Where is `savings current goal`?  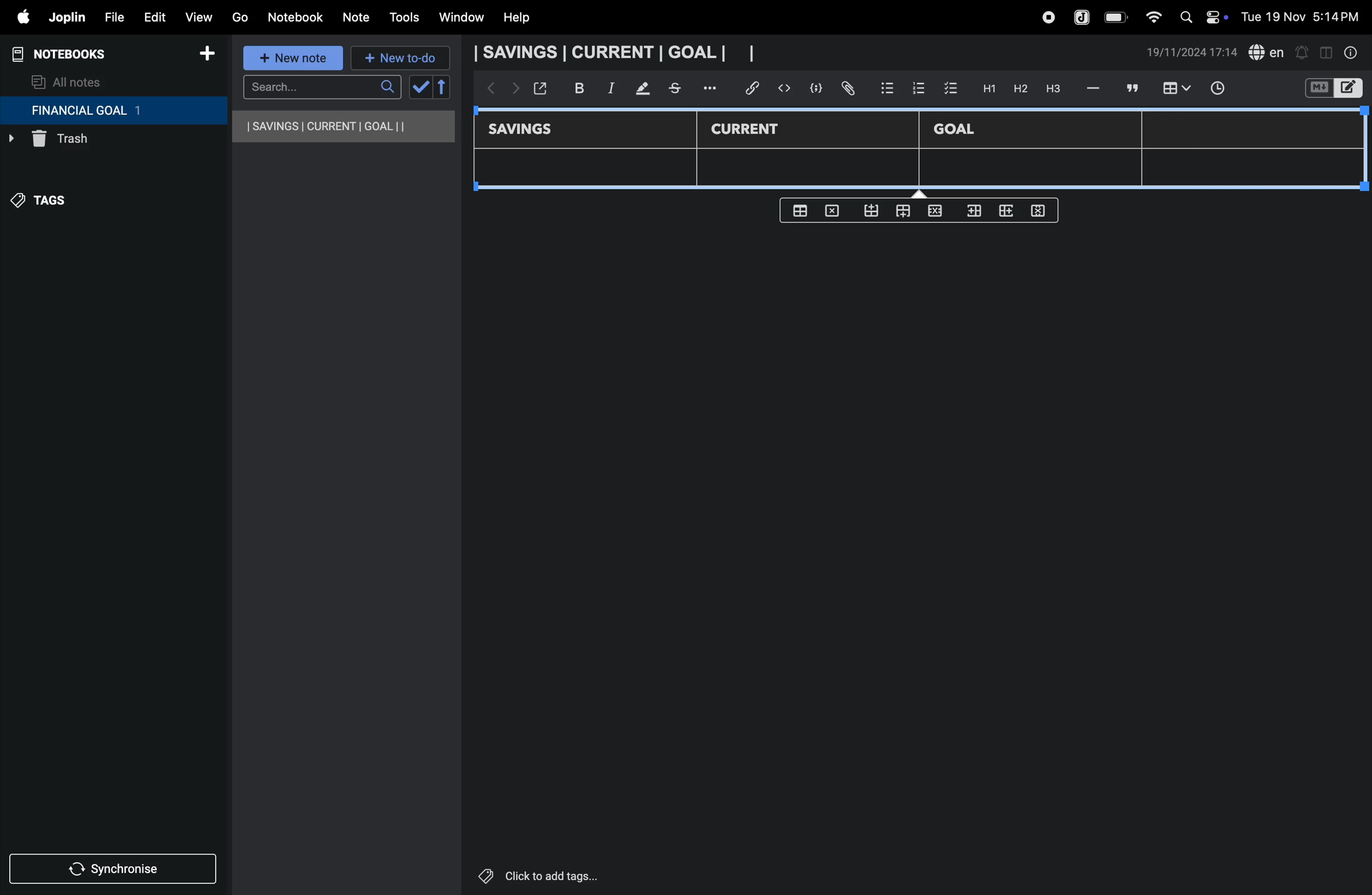
savings current goal is located at coordinates (628, 51).